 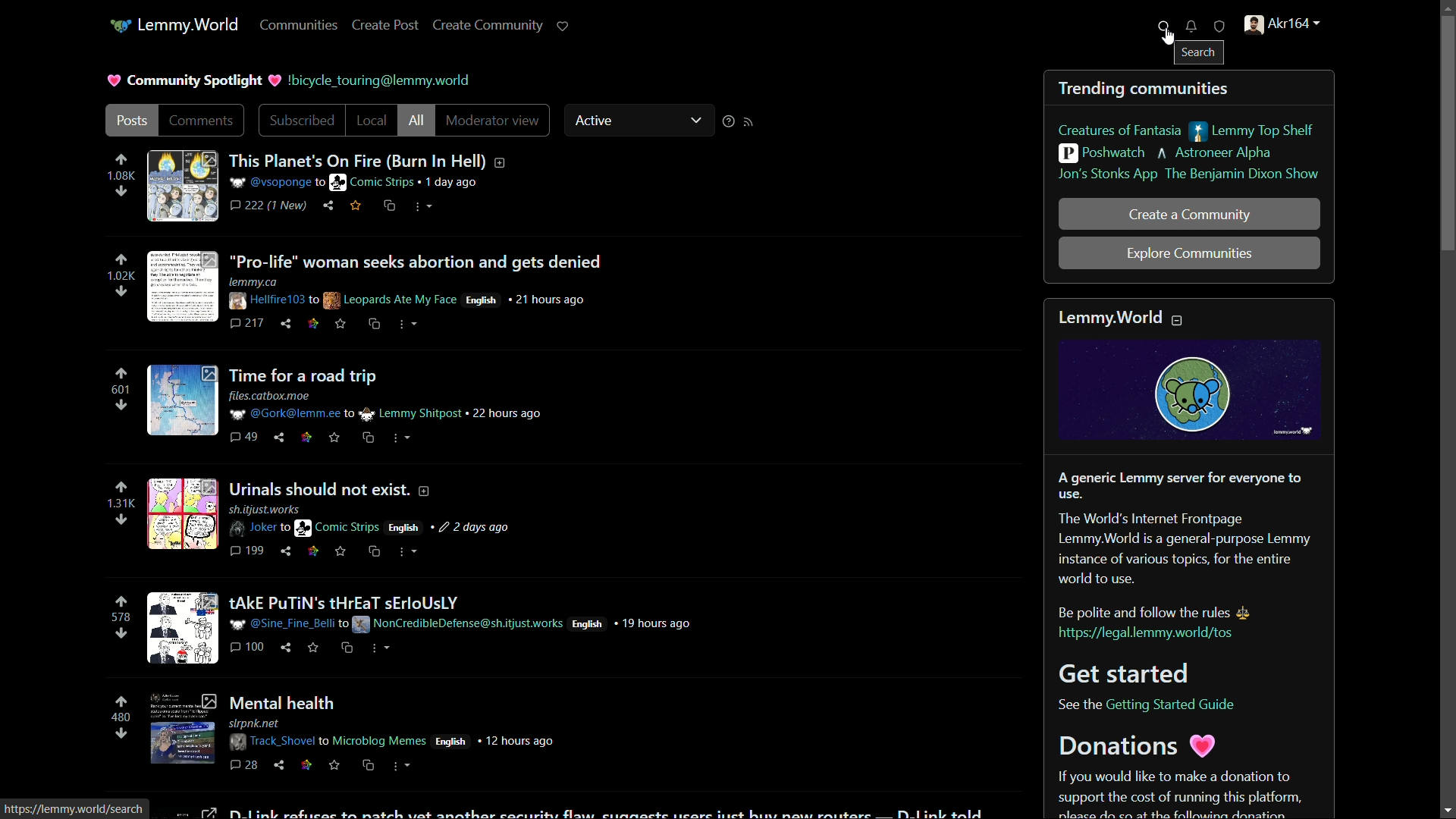 What do you see at coordinates (1189, 253) in the screenshot?
I see `explore communities` at bounding box center [1189, 253].